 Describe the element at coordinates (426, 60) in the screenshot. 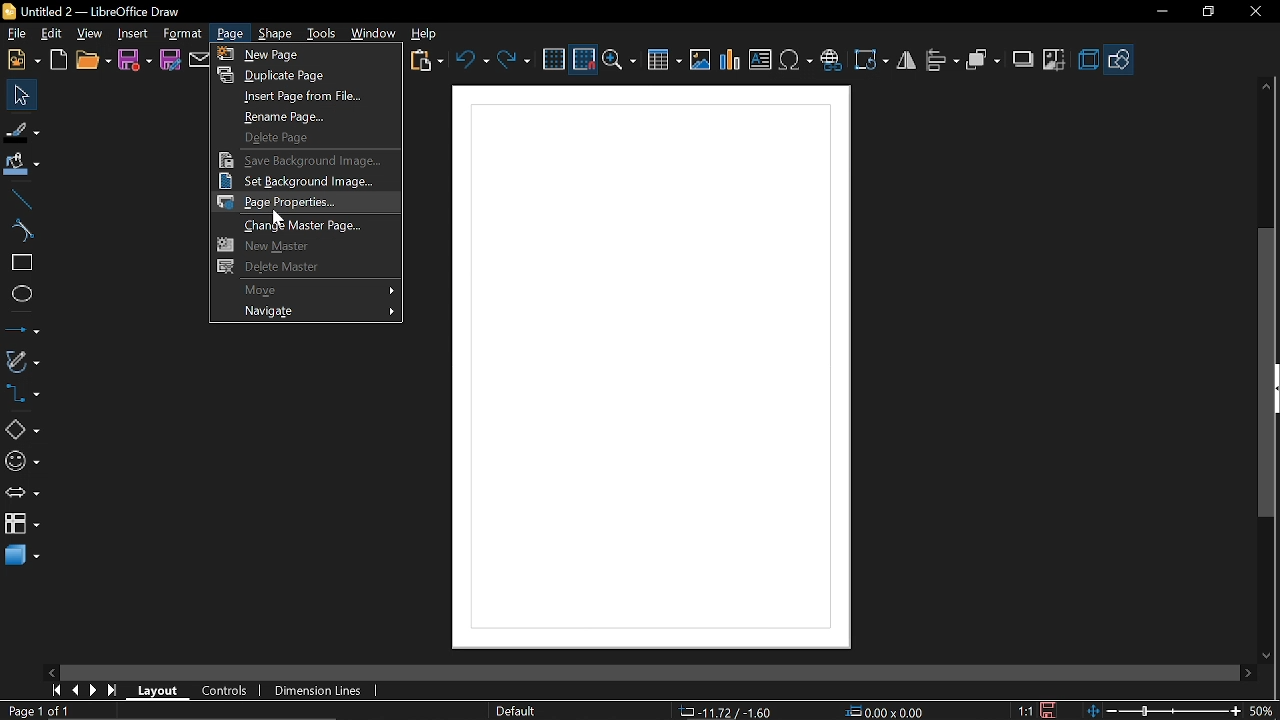

I see `Paste` at that location.